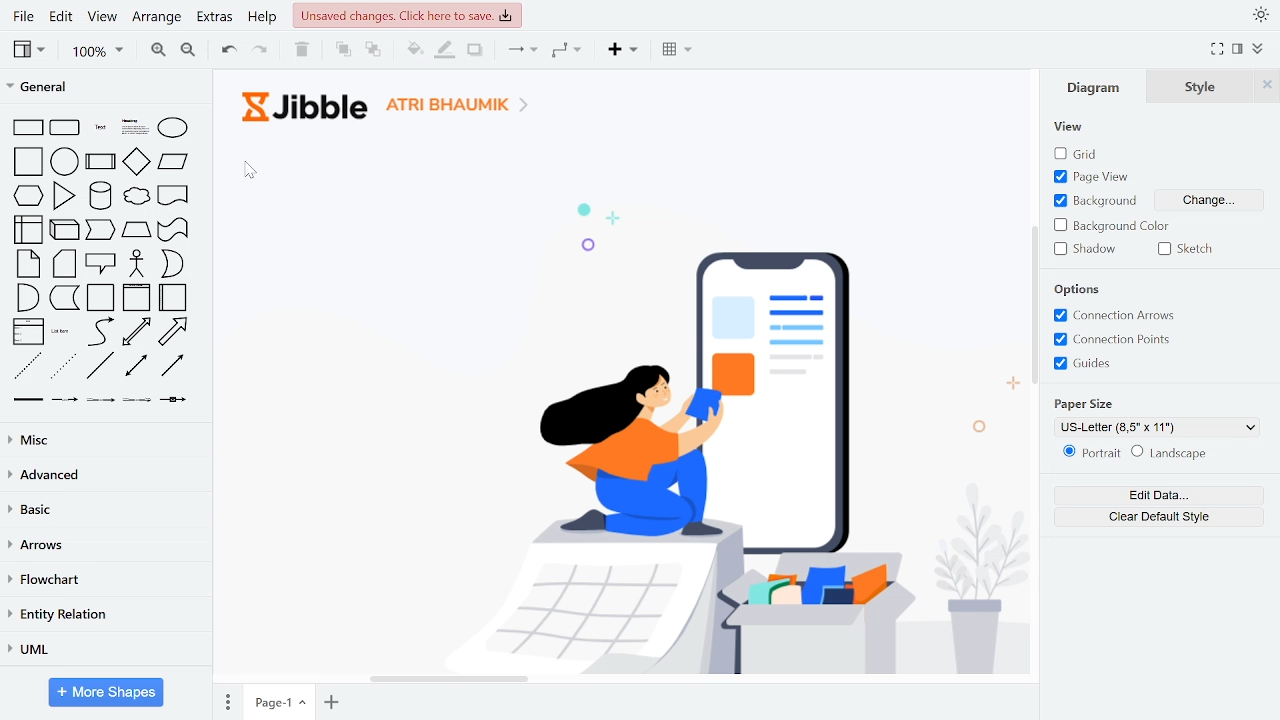 The width and height of the screenshot is (1280, 720). I want to click on arrange, so click(156, 17).